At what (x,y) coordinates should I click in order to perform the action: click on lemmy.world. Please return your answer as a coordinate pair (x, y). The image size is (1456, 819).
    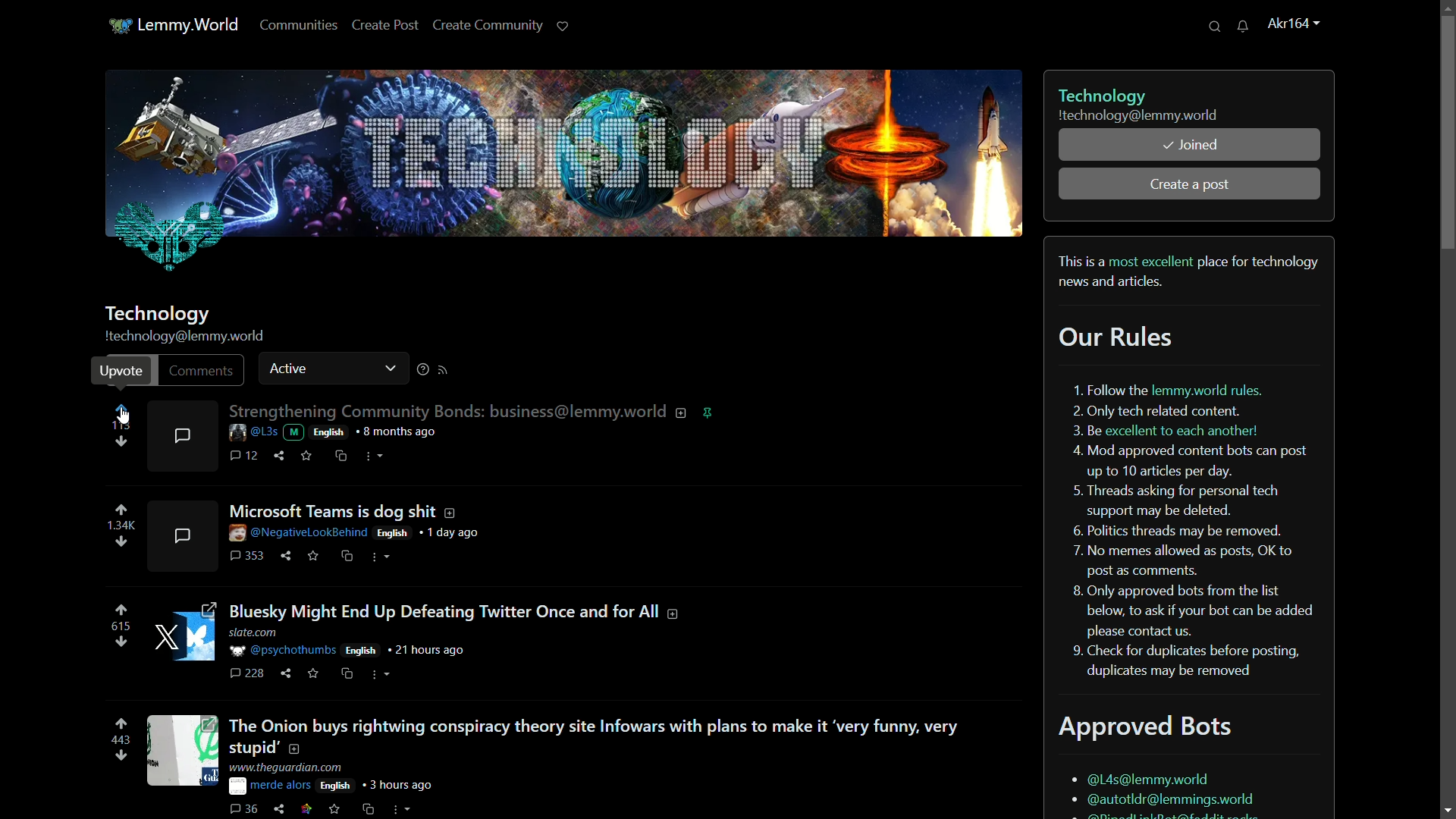
    Looking at the image, I should click on (192, 25).